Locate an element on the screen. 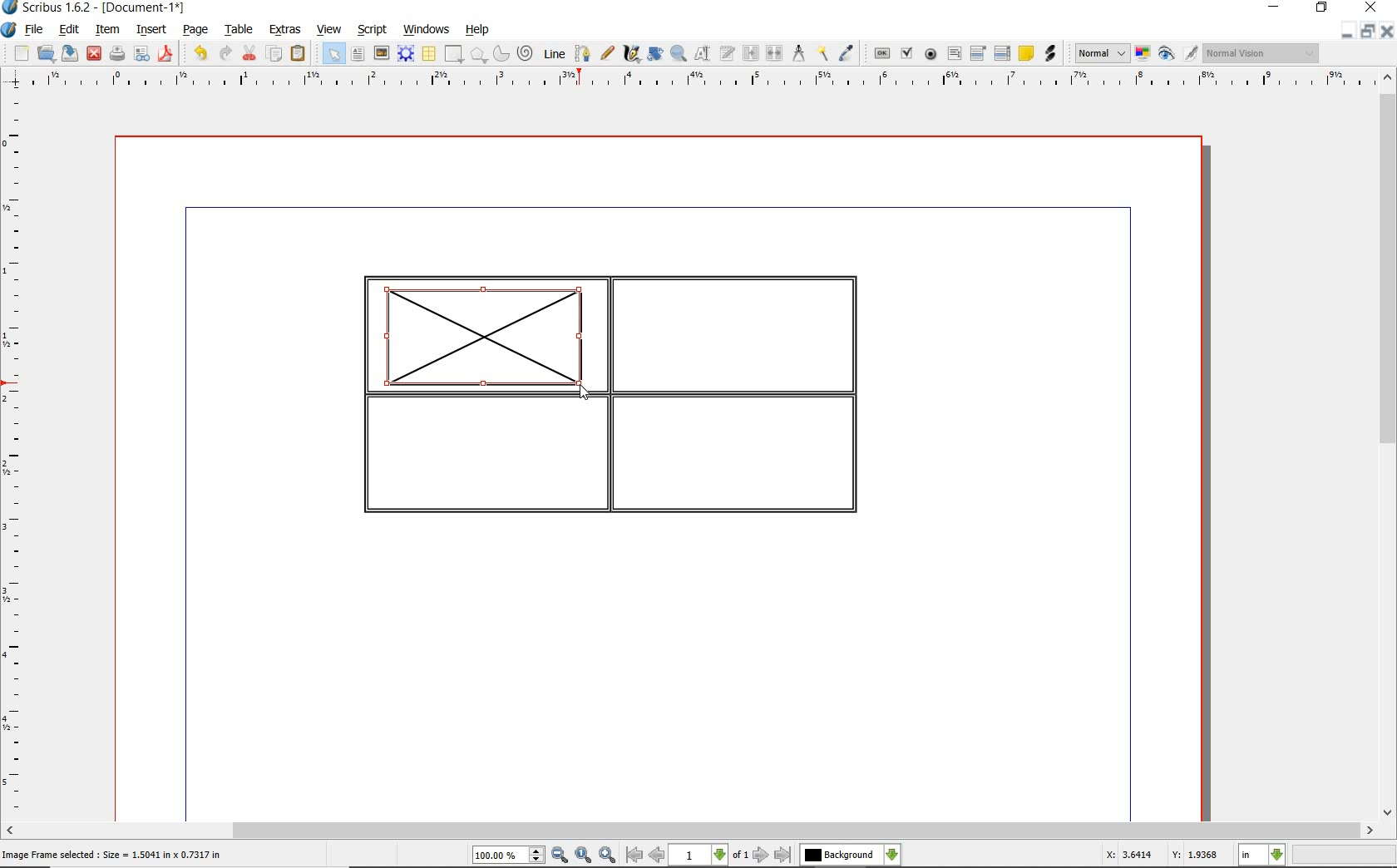 The width and height of the screenshot is (1397, 868). shape is located at coordinates (479, 56).